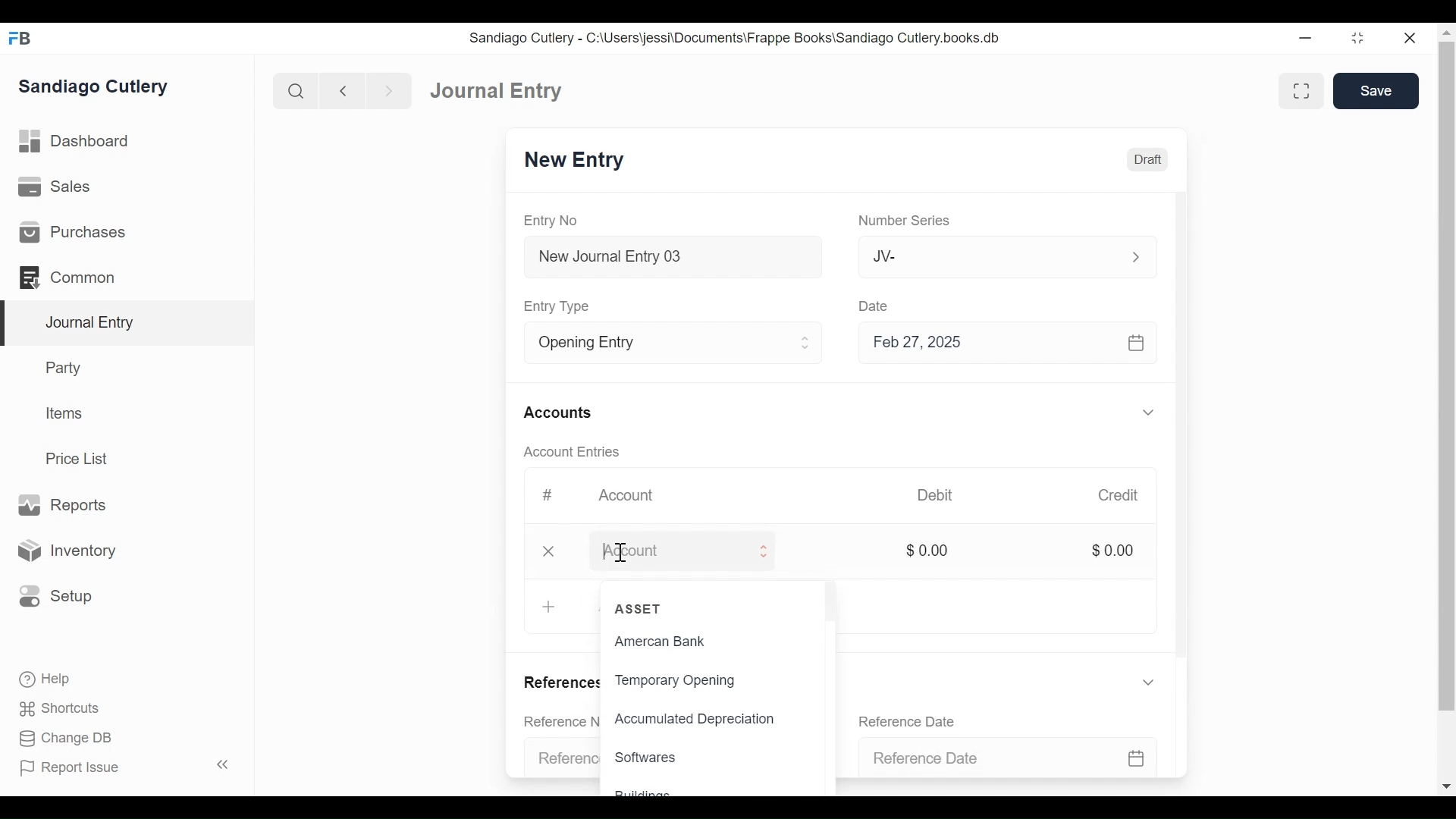  I want to click on New Entry, so click(578, 161).